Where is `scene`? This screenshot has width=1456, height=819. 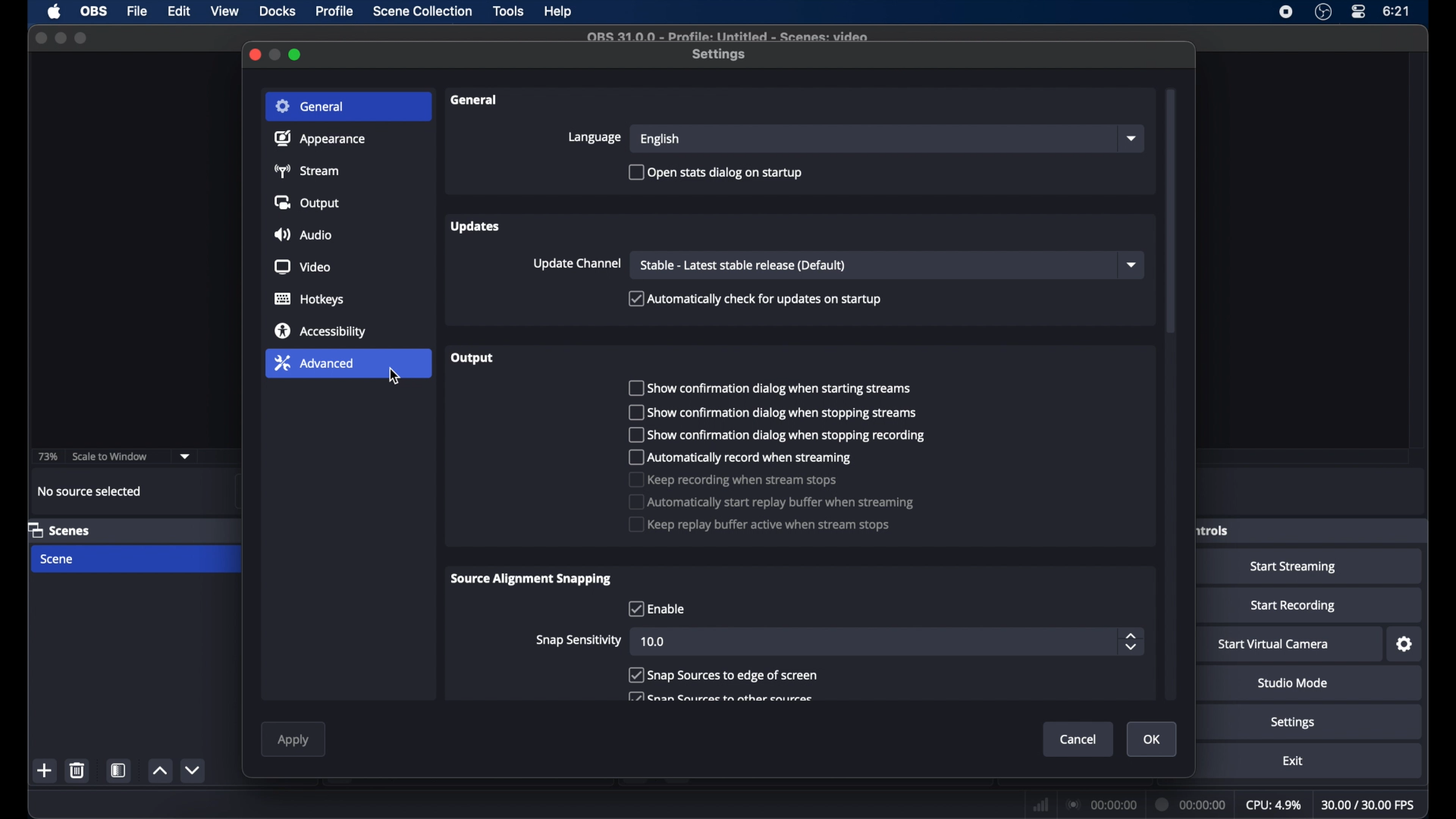 scene is located at coordinates (58, 560).